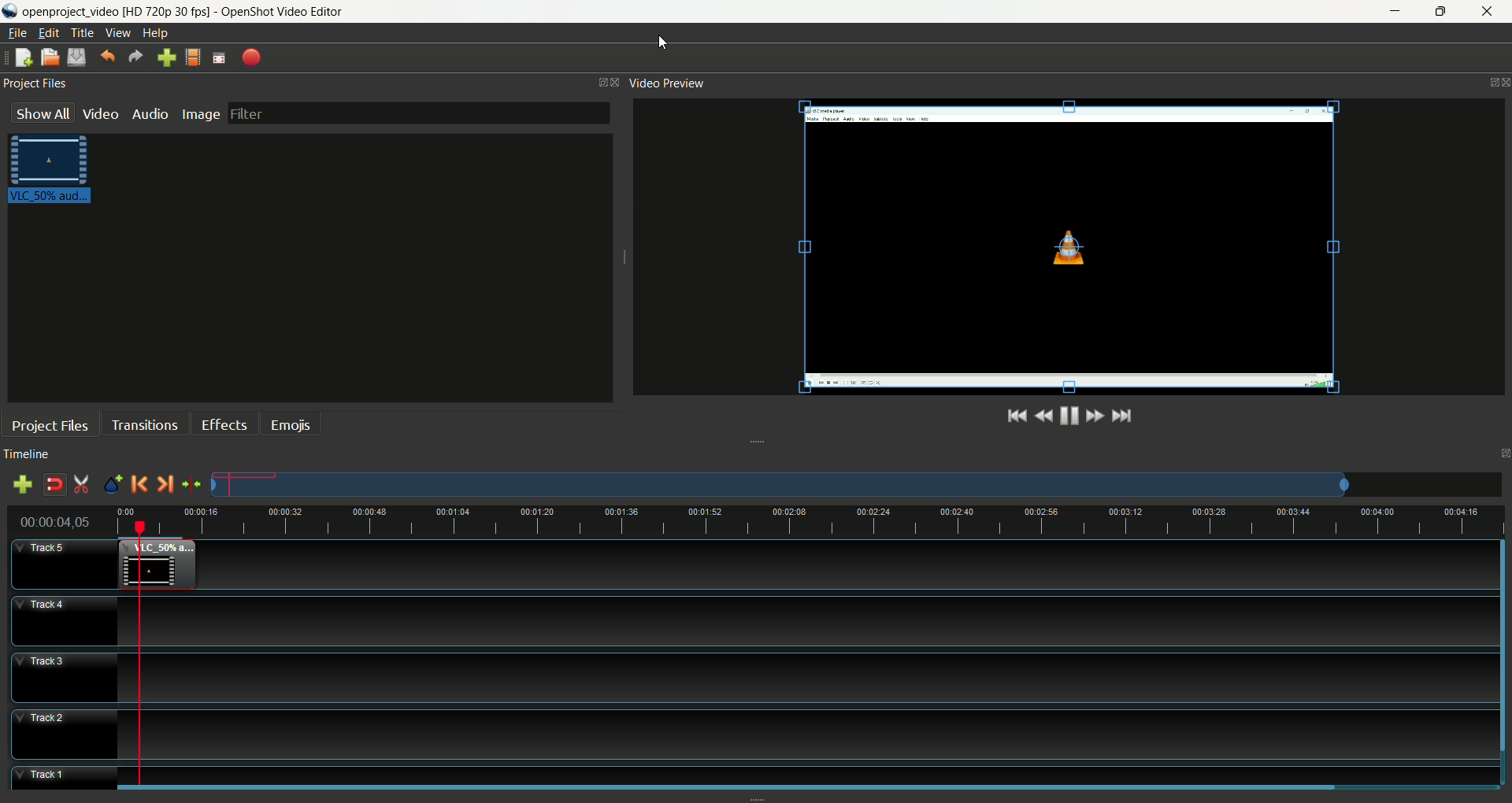 This screenshot has width=1512, height=803. I want to click on maximize, so click(1444, 11).